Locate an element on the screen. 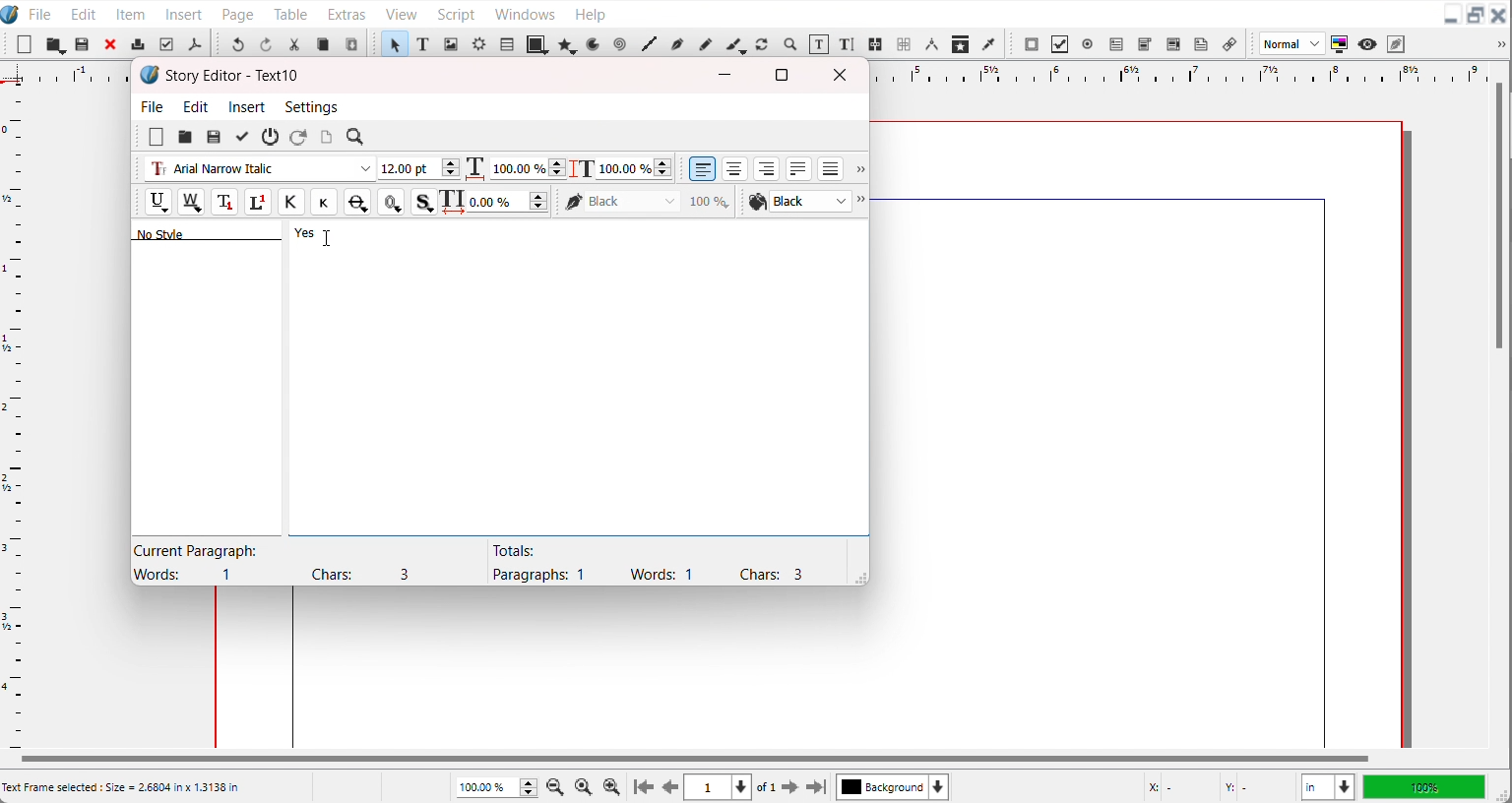 The image size is (1512, 803). Freehand line is located at coordinates (704, 43).